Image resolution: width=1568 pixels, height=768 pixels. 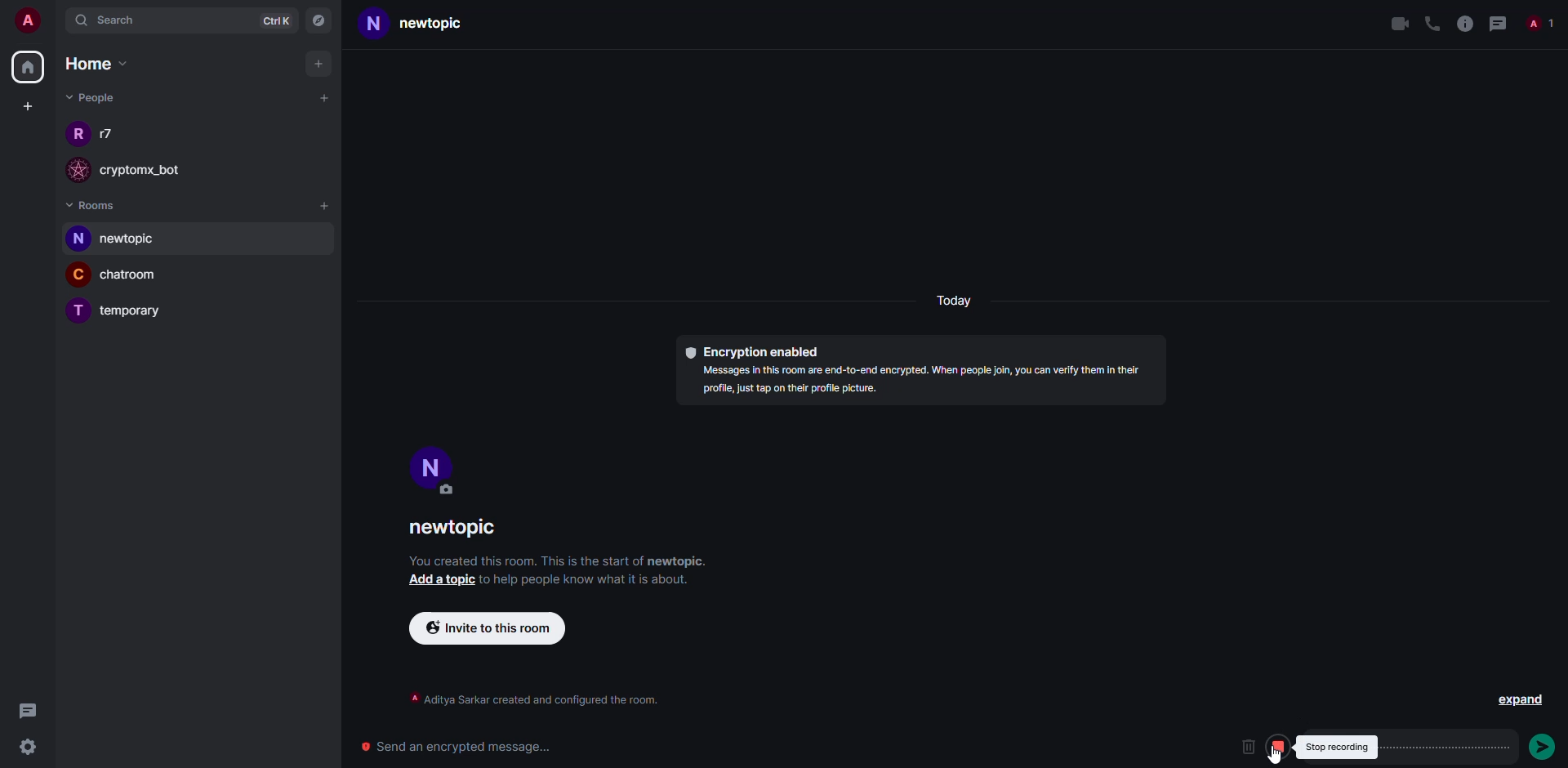 I want to click on people, so click(x=91, y=98).